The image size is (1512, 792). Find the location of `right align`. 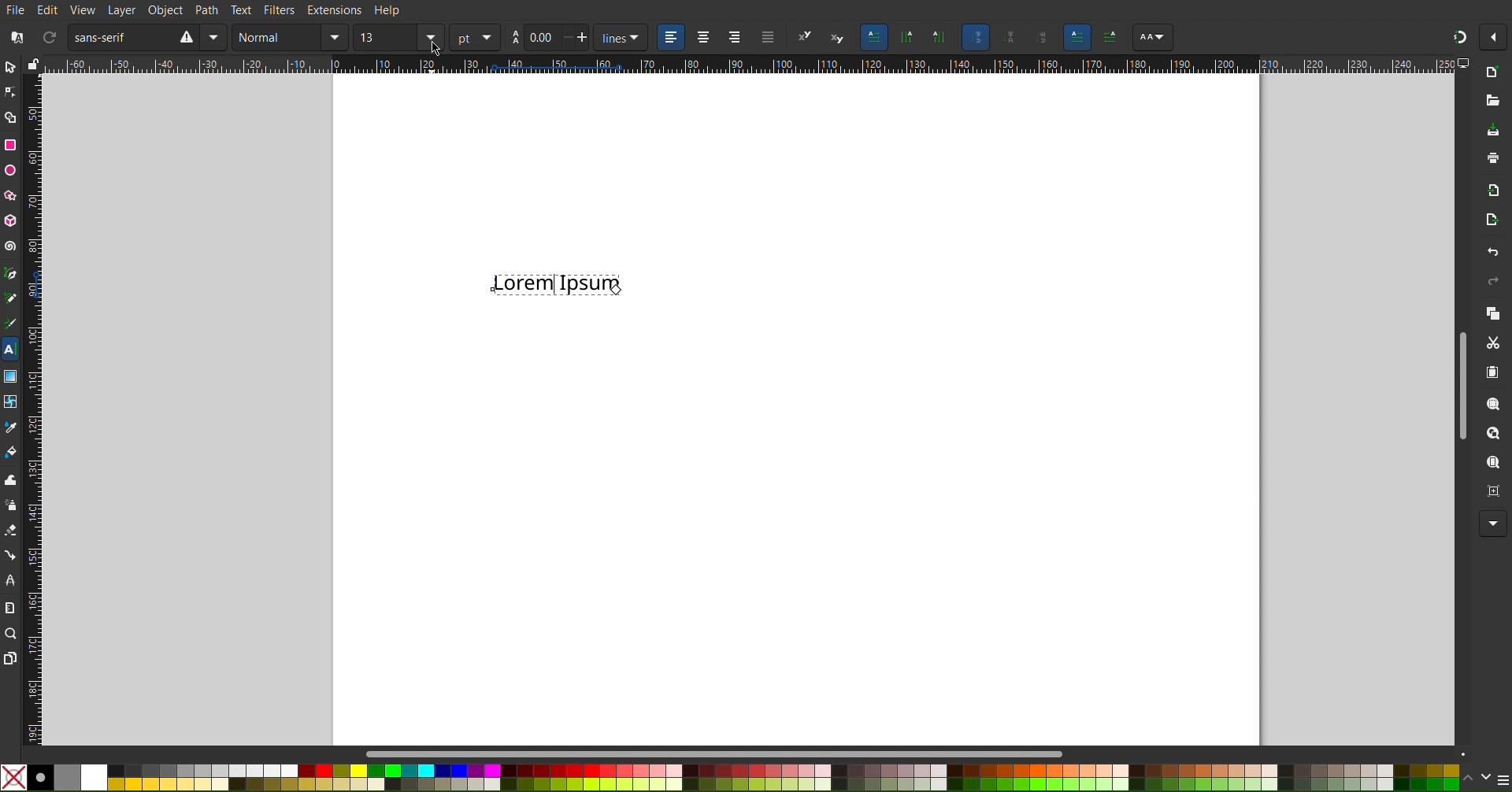

right align is located at coordinates (734, 39).